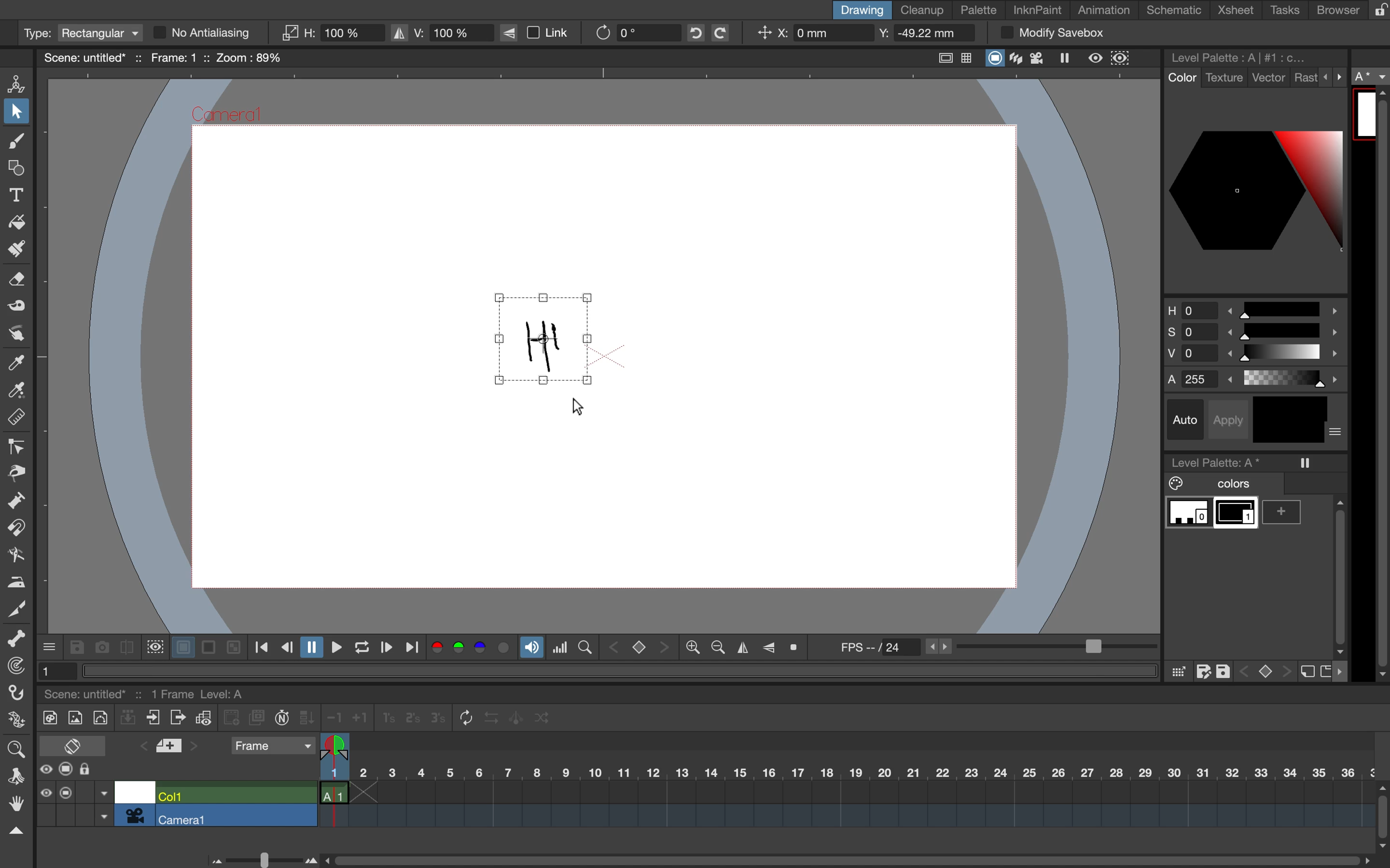  What do you see at coordinates (923, 9) in the screenshot?
I see `cleanup` at bounding box center [923, 9].